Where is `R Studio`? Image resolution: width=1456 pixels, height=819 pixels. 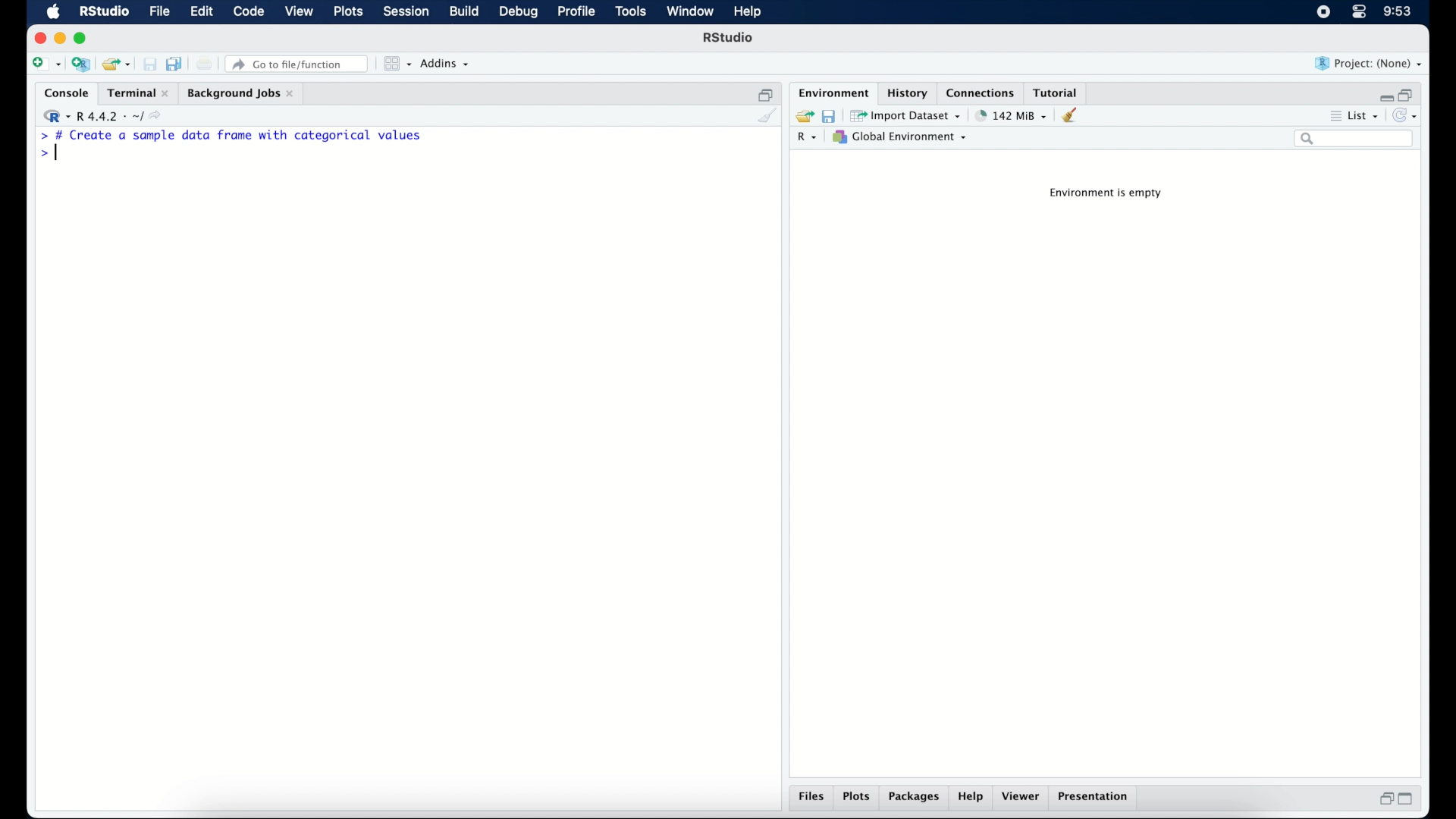
R Studio is located at coordinates (730, 38).